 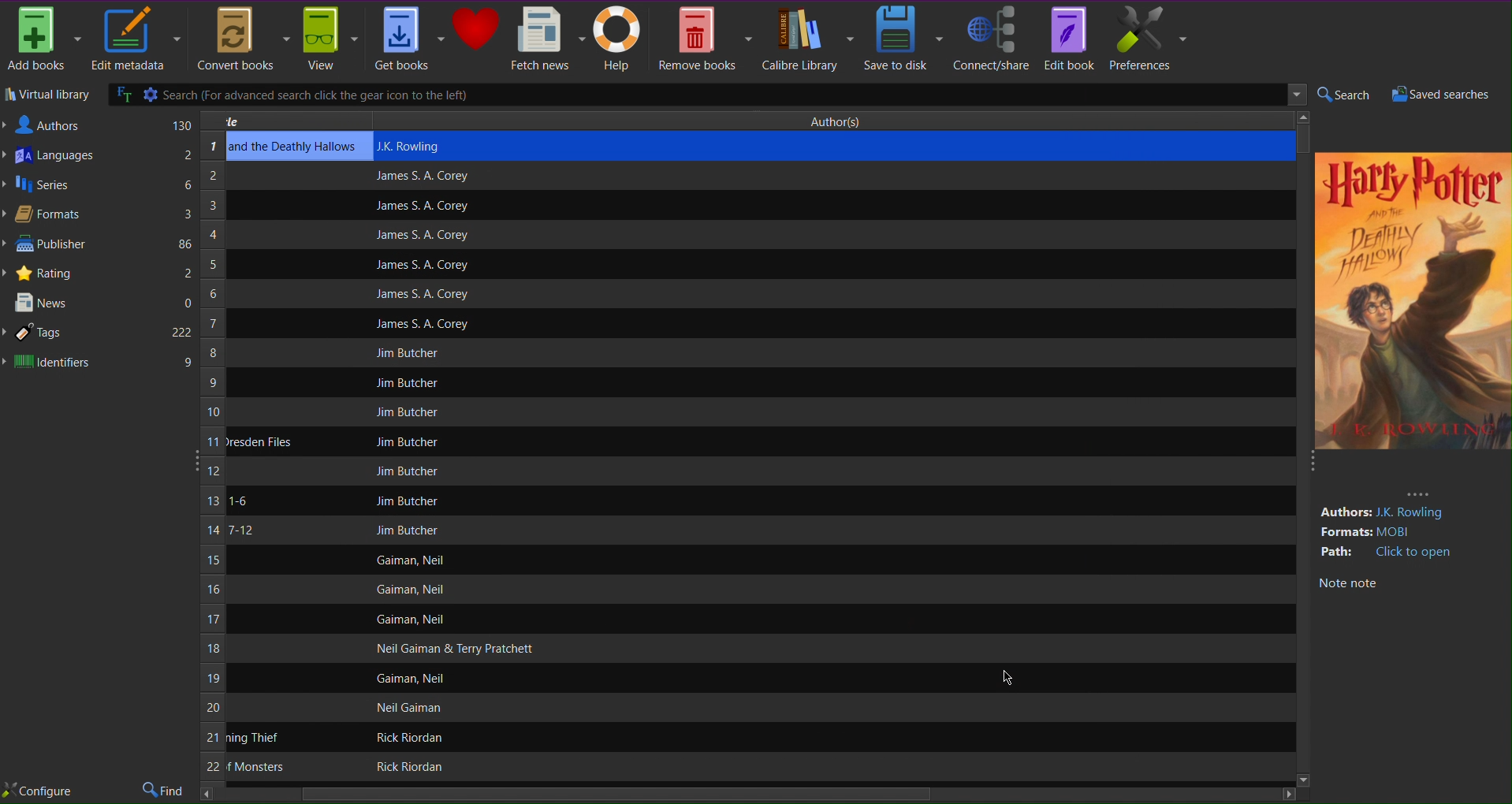 I want to click on Series, so click(x=99, y=186).